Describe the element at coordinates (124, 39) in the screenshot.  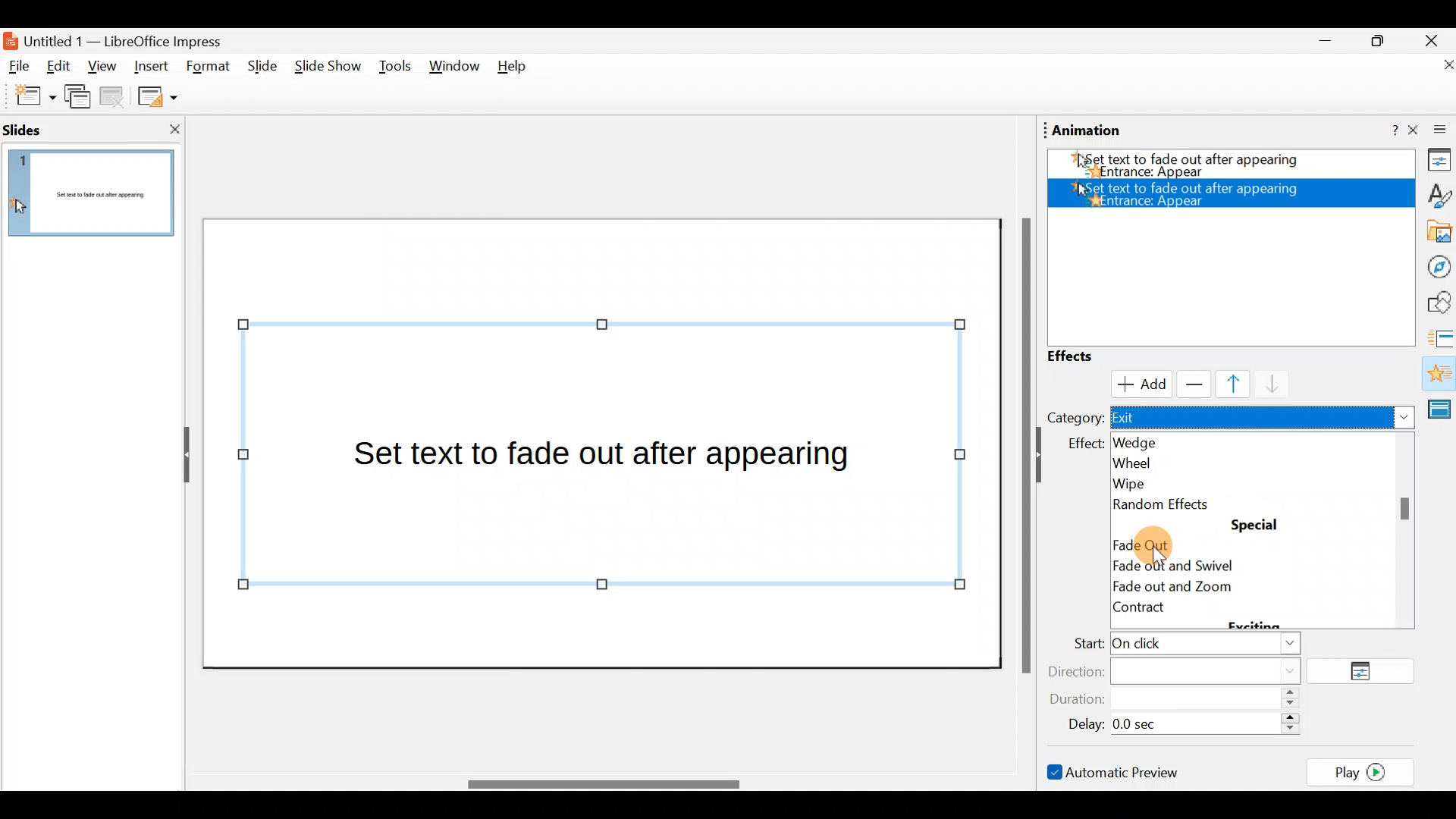
I see `Document name` at that location.